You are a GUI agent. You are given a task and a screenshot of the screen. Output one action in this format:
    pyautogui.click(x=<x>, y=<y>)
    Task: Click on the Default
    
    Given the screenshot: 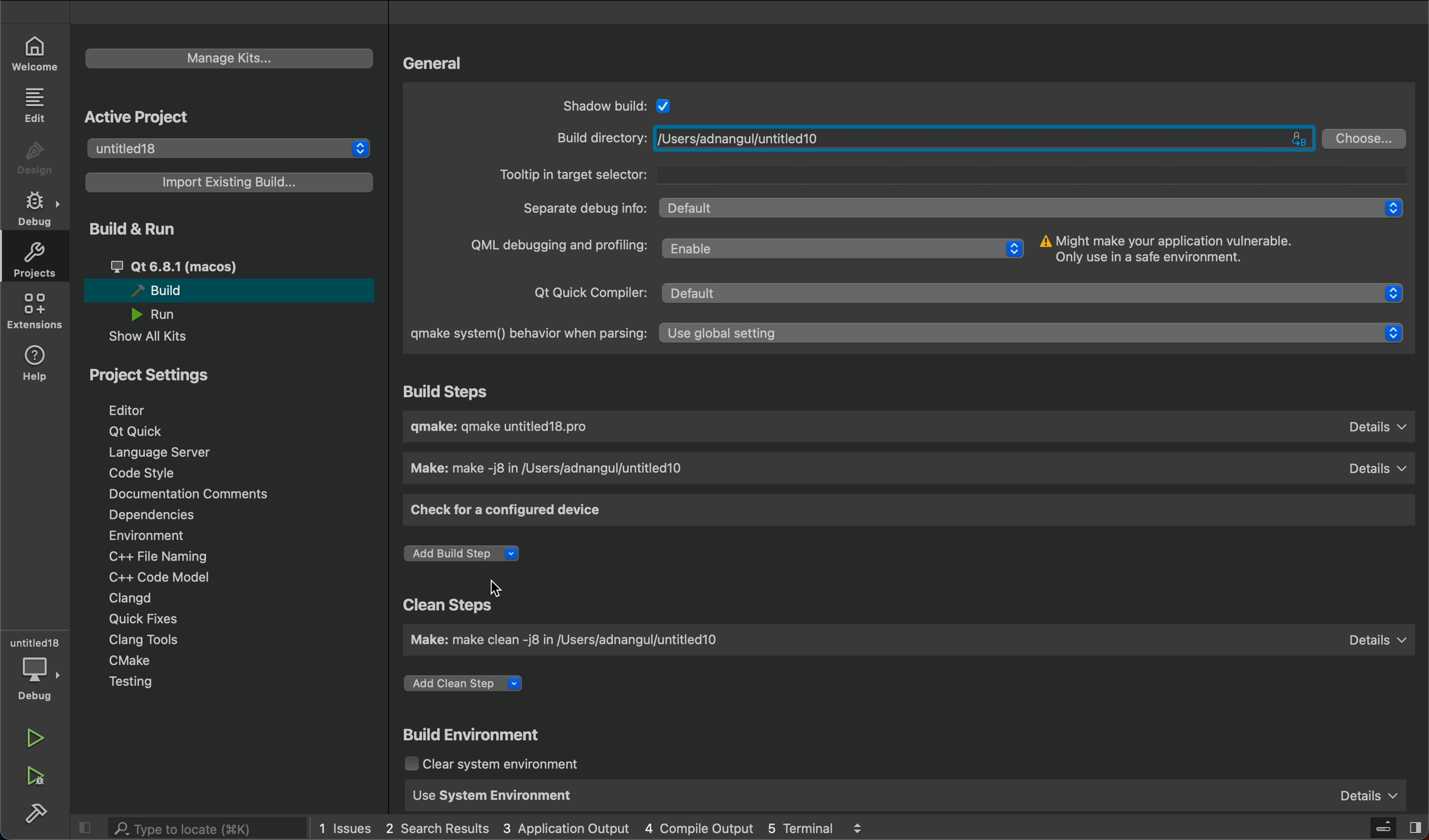 What is the action you would take?
    pyautogui.click(x=1031, y=208)
    